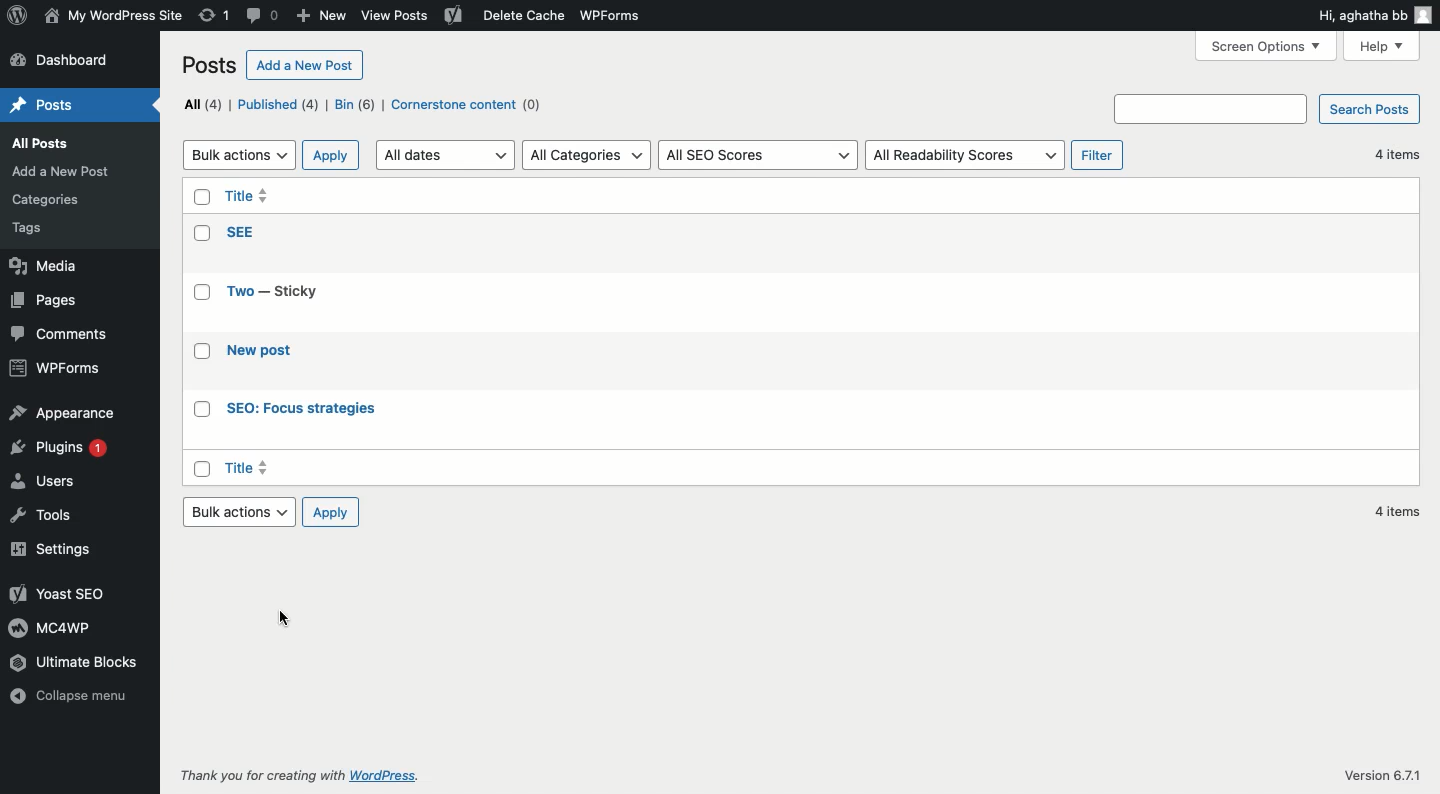  I want to click on categories, so click(53, 196).